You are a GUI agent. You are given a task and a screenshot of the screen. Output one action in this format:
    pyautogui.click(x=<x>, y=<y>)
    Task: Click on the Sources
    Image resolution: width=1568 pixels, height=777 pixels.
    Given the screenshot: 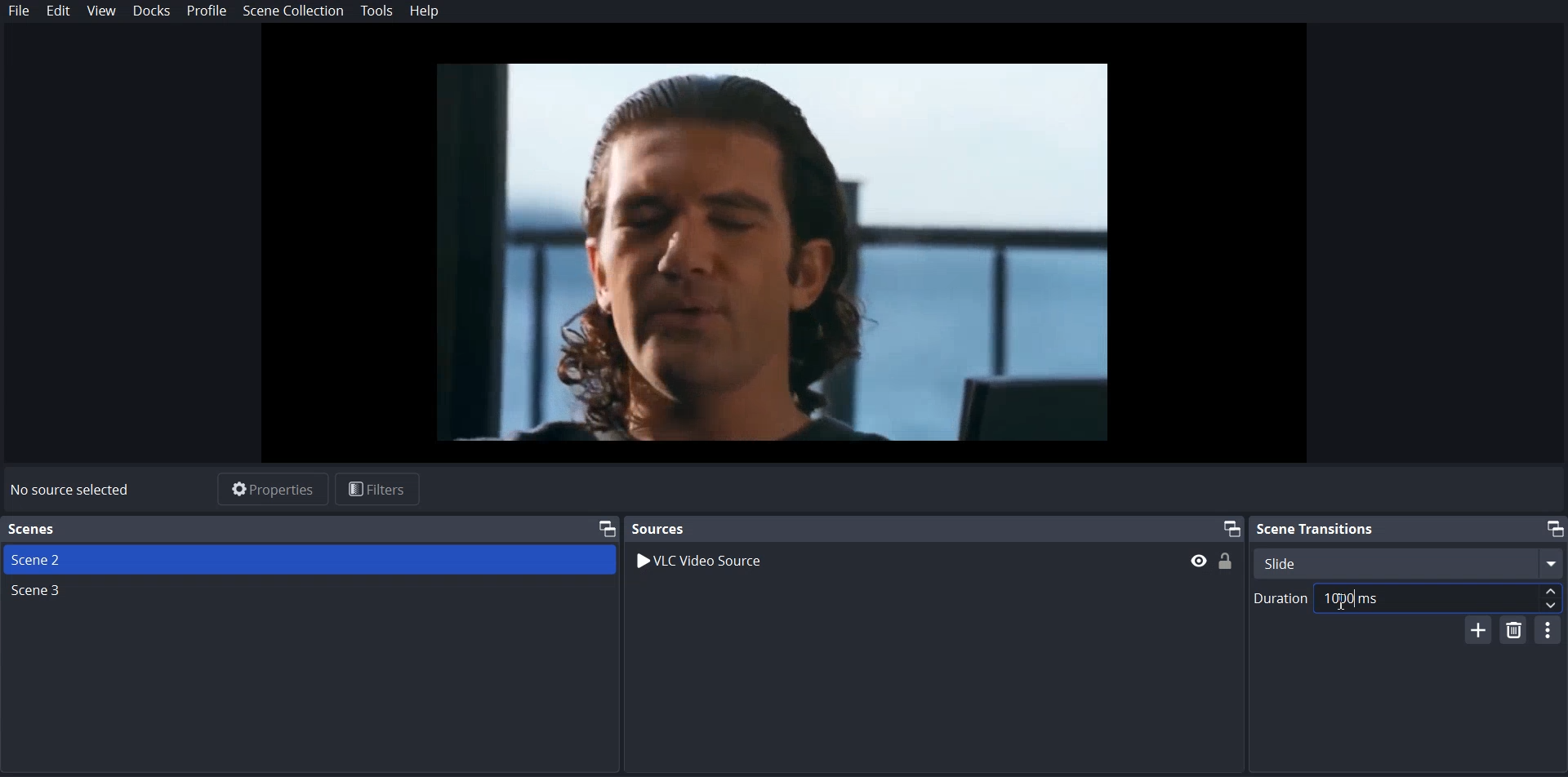 What is the action you would take?
    pyautogui.click(x=933, y=528)
    